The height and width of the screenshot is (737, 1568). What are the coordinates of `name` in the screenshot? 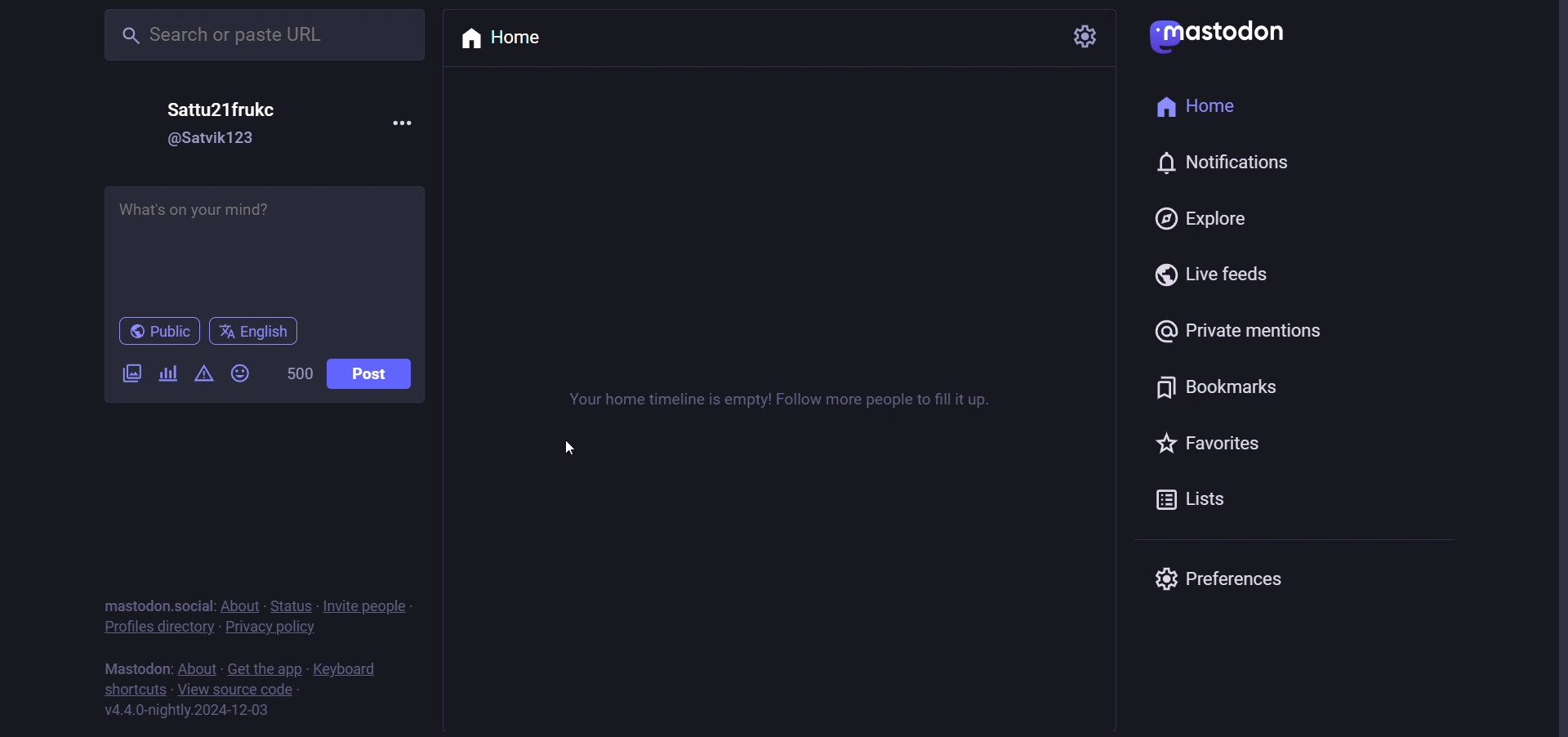 It's located at (229, 109).